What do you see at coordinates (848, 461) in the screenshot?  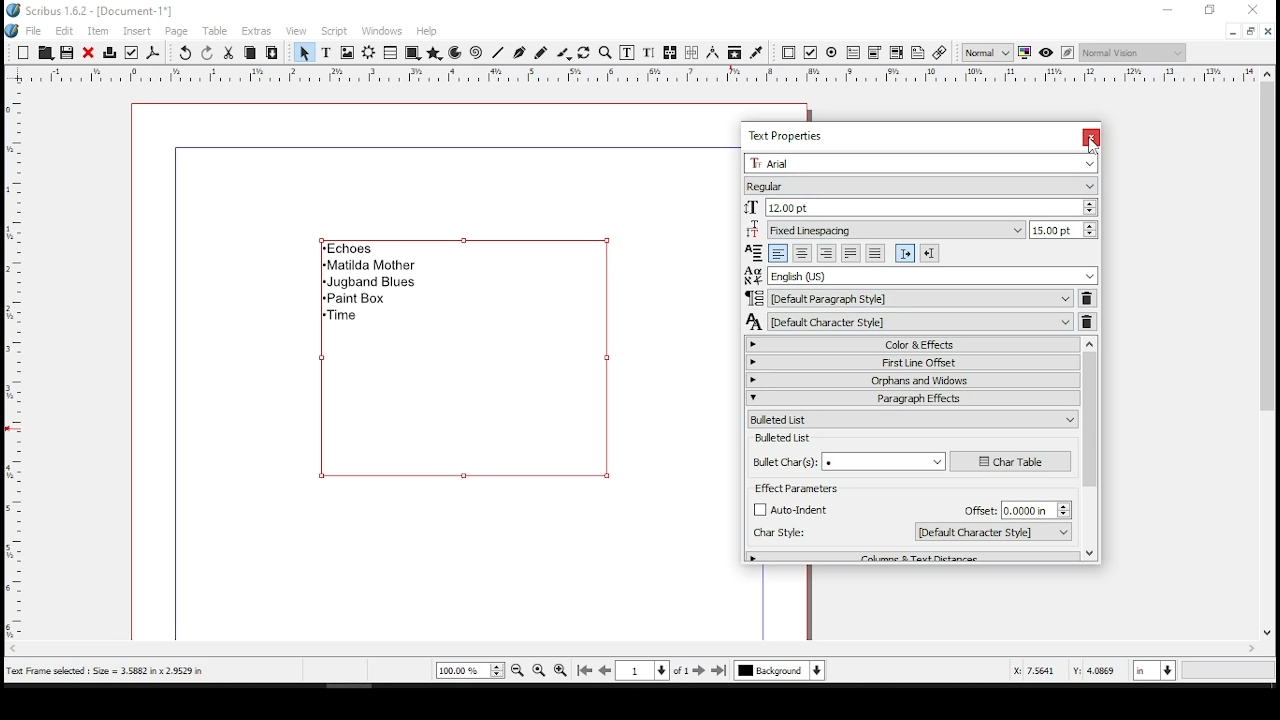 I see `bullet character` at bounding box center [848, 461].